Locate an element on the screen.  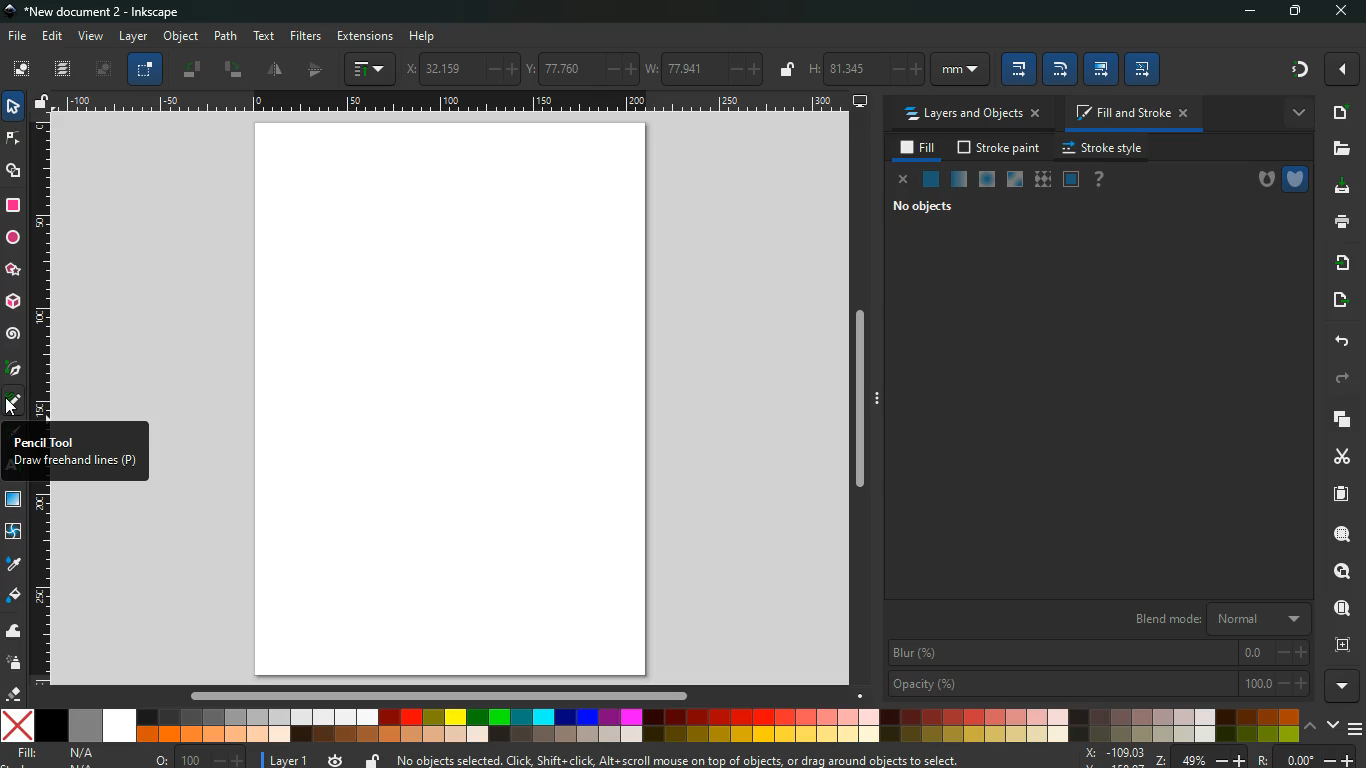
blur is located at coordinates (1098, 651).